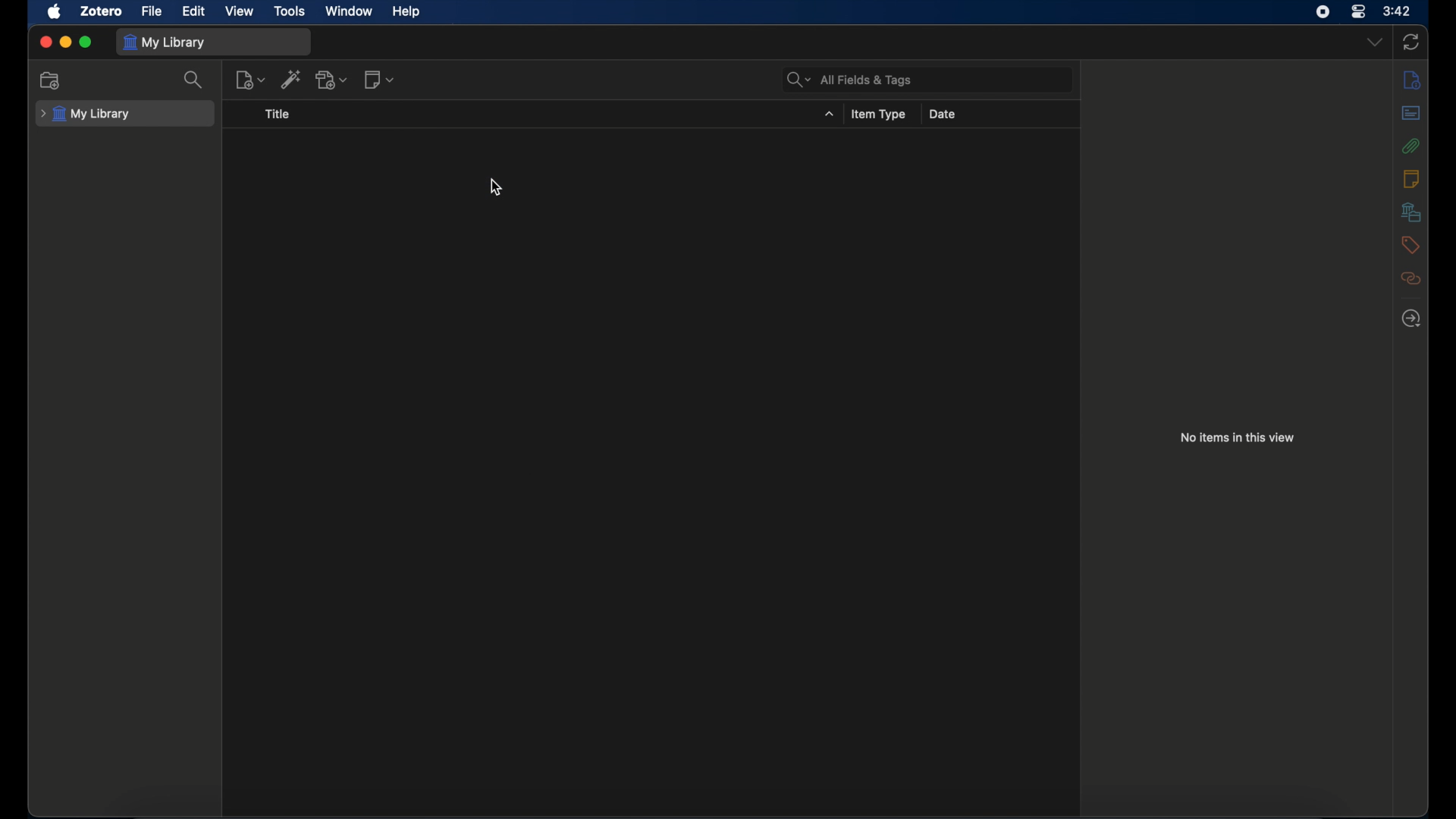  Describe the element at coordinates (379, 80) in the screenshot. I see `new note` at that location.